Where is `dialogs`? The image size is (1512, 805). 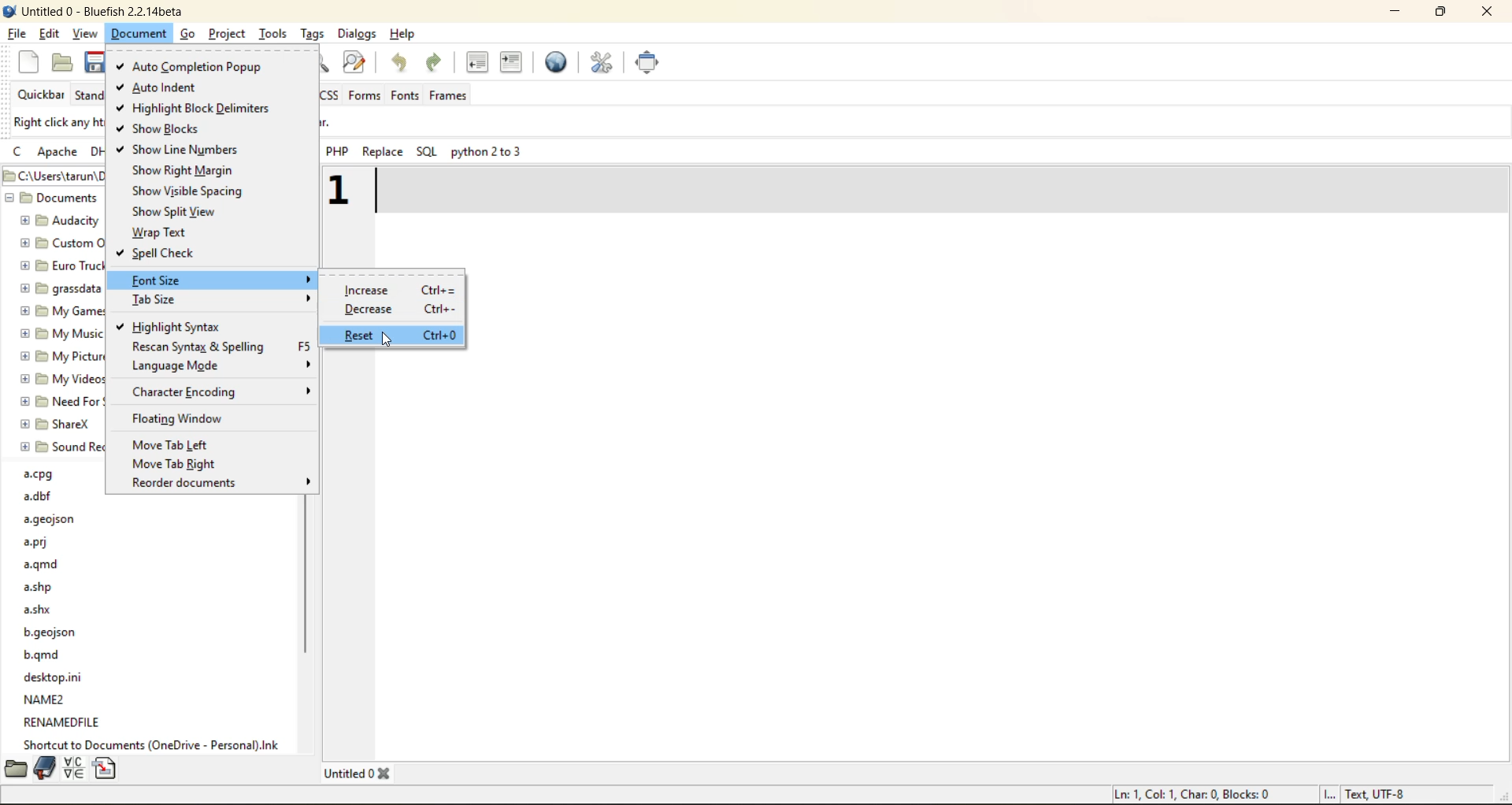
dialogs is located at coordinates (362, 35).